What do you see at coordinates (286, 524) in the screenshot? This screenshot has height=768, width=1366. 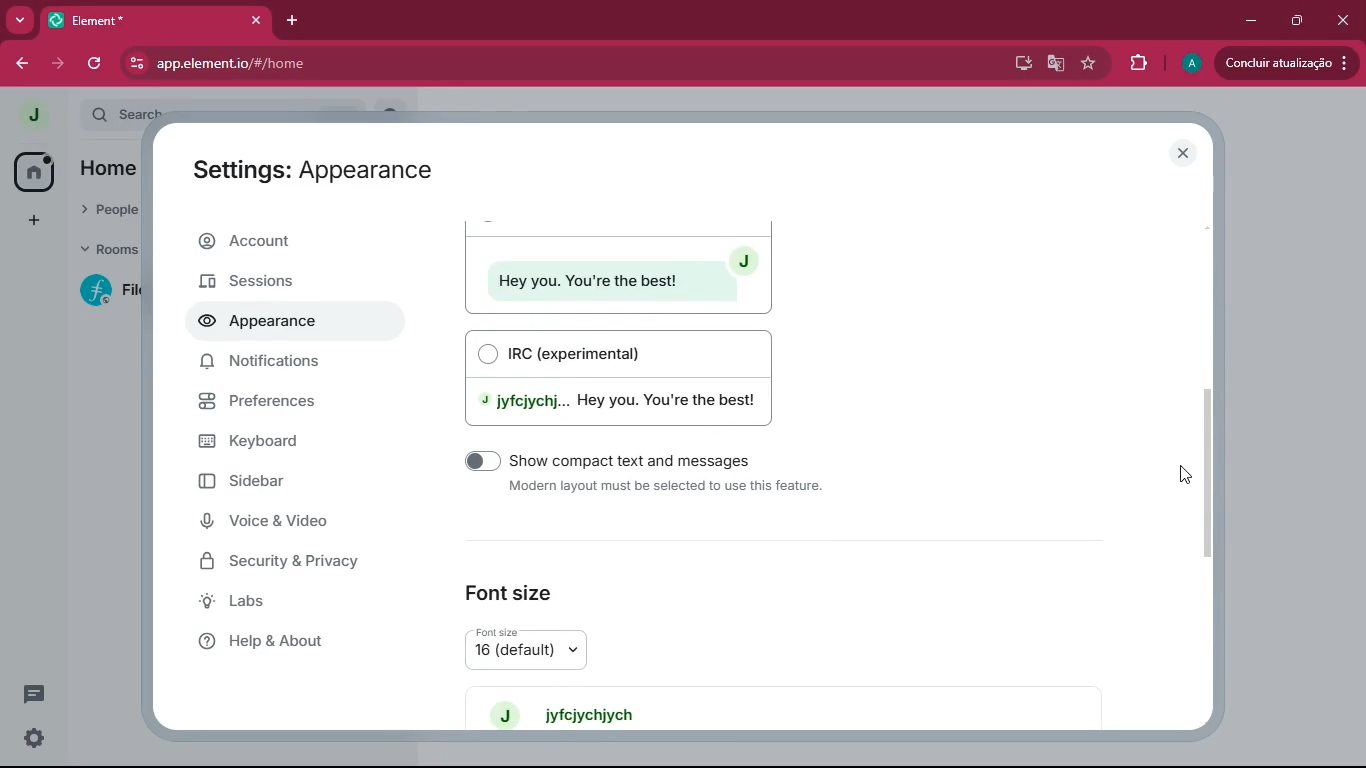 I see `voice` at bounding box center [286, 524].